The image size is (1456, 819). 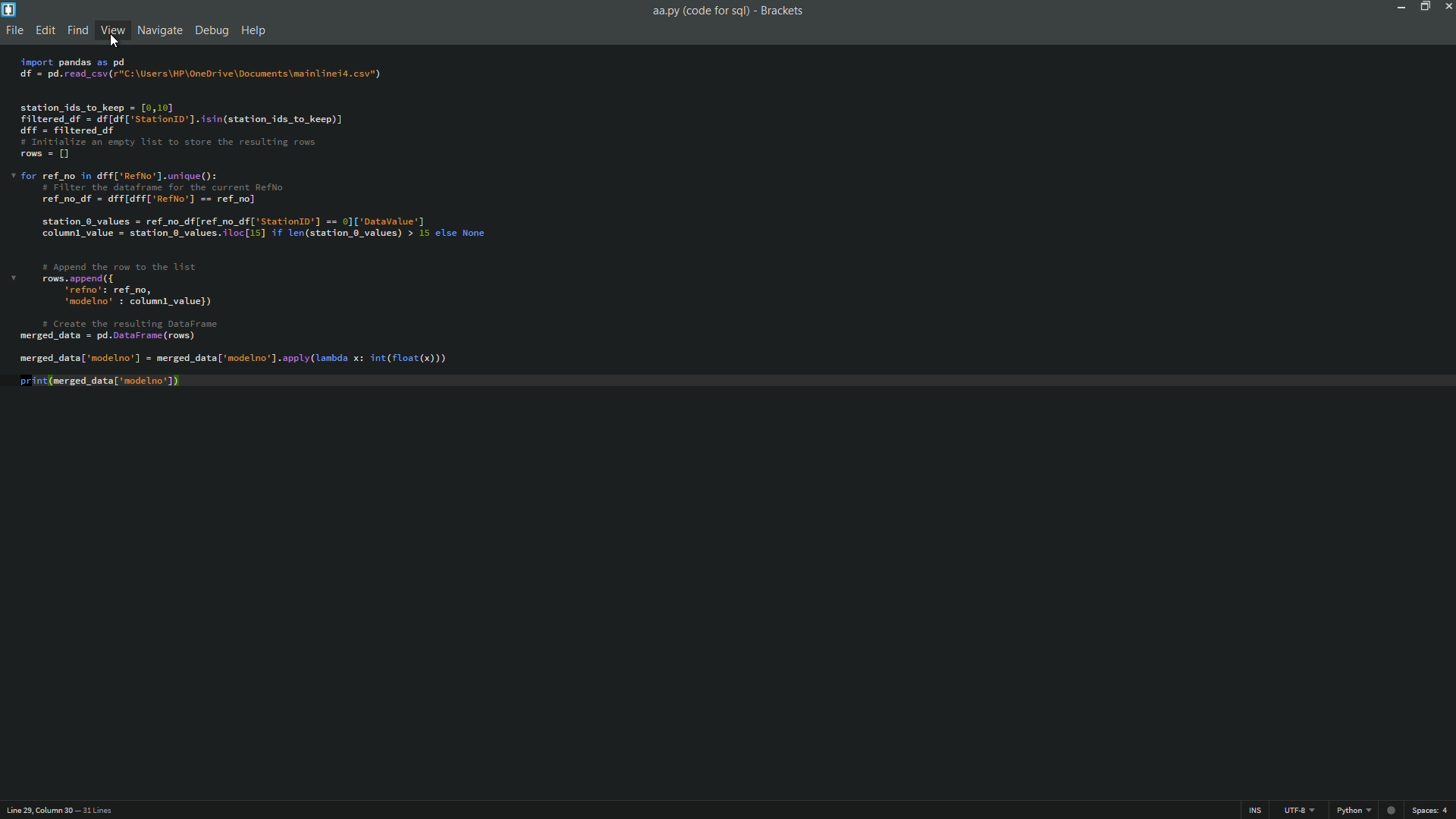 I want to click on minimize button, so click(x=1402, y=8).